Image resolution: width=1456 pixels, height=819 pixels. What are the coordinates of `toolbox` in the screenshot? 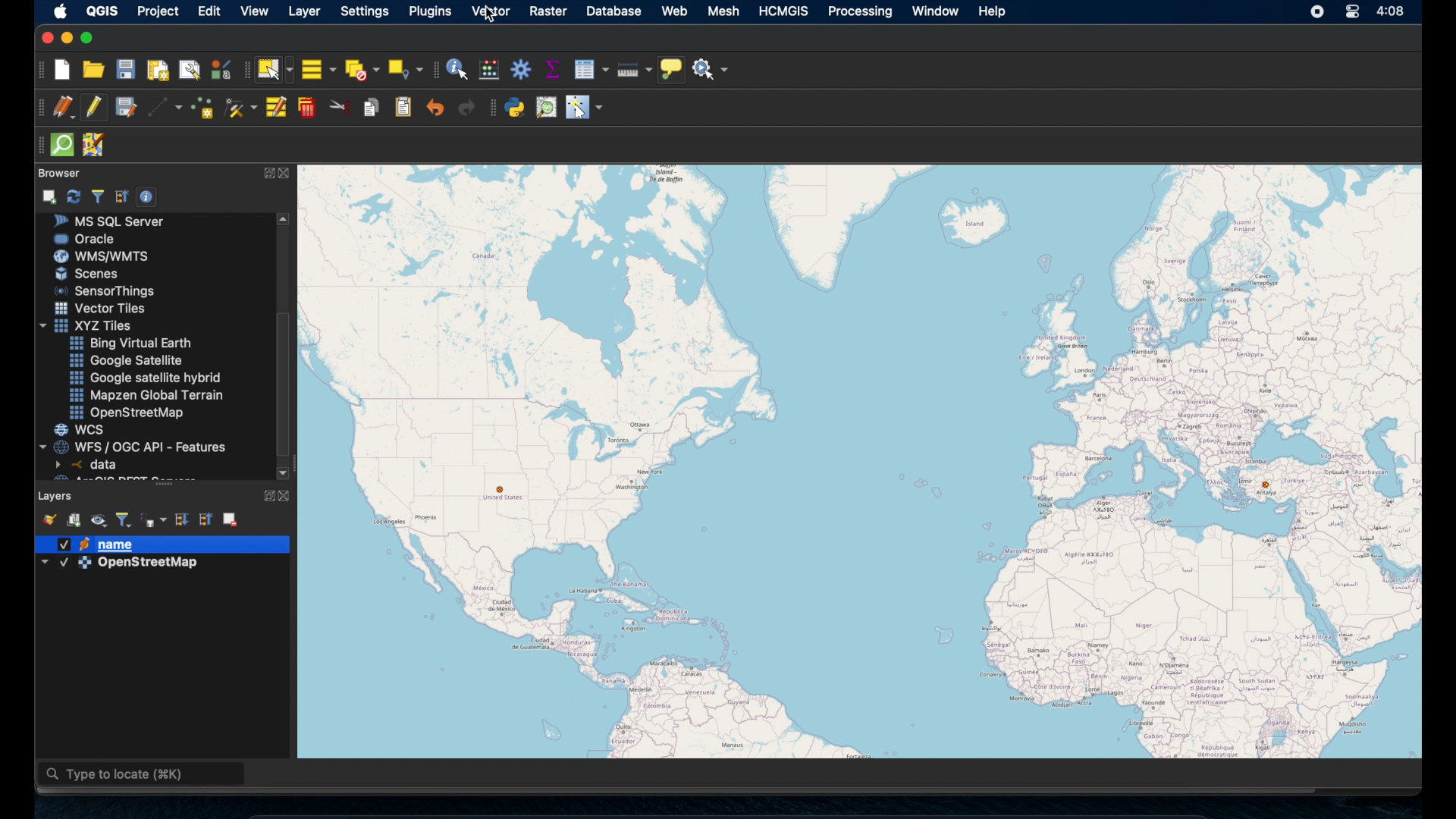 It's located at (521, 70).